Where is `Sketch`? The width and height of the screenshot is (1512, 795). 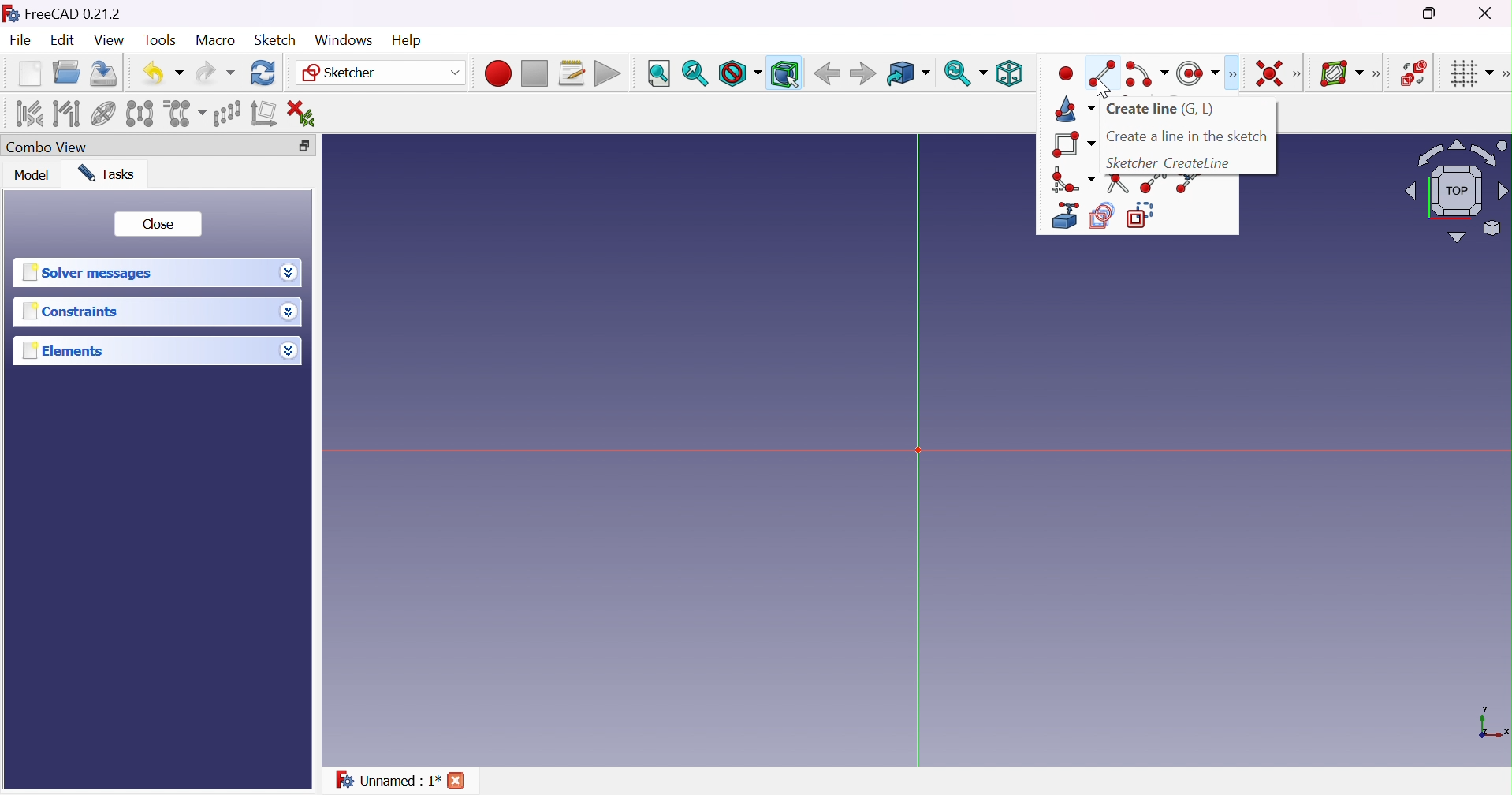 Sketch is located at coordinates (277, 40).